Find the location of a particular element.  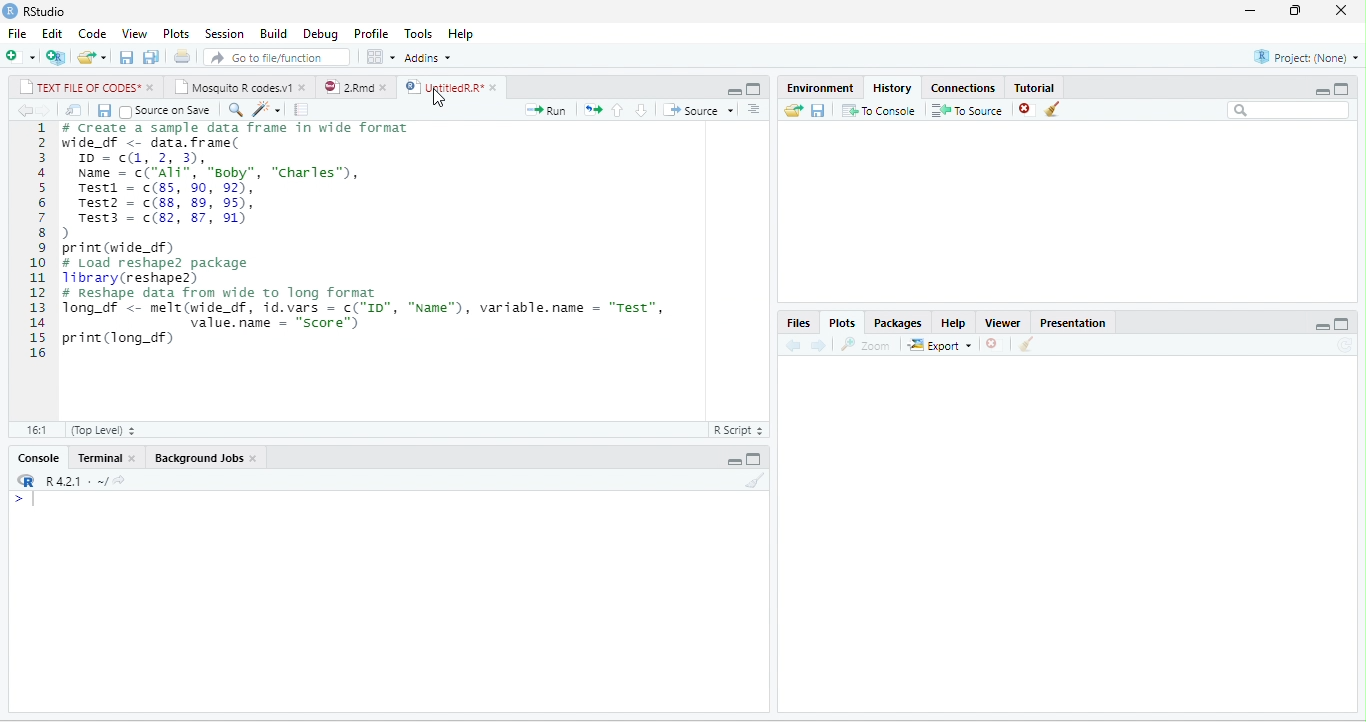

compile report is located at coordinates (301, 109).